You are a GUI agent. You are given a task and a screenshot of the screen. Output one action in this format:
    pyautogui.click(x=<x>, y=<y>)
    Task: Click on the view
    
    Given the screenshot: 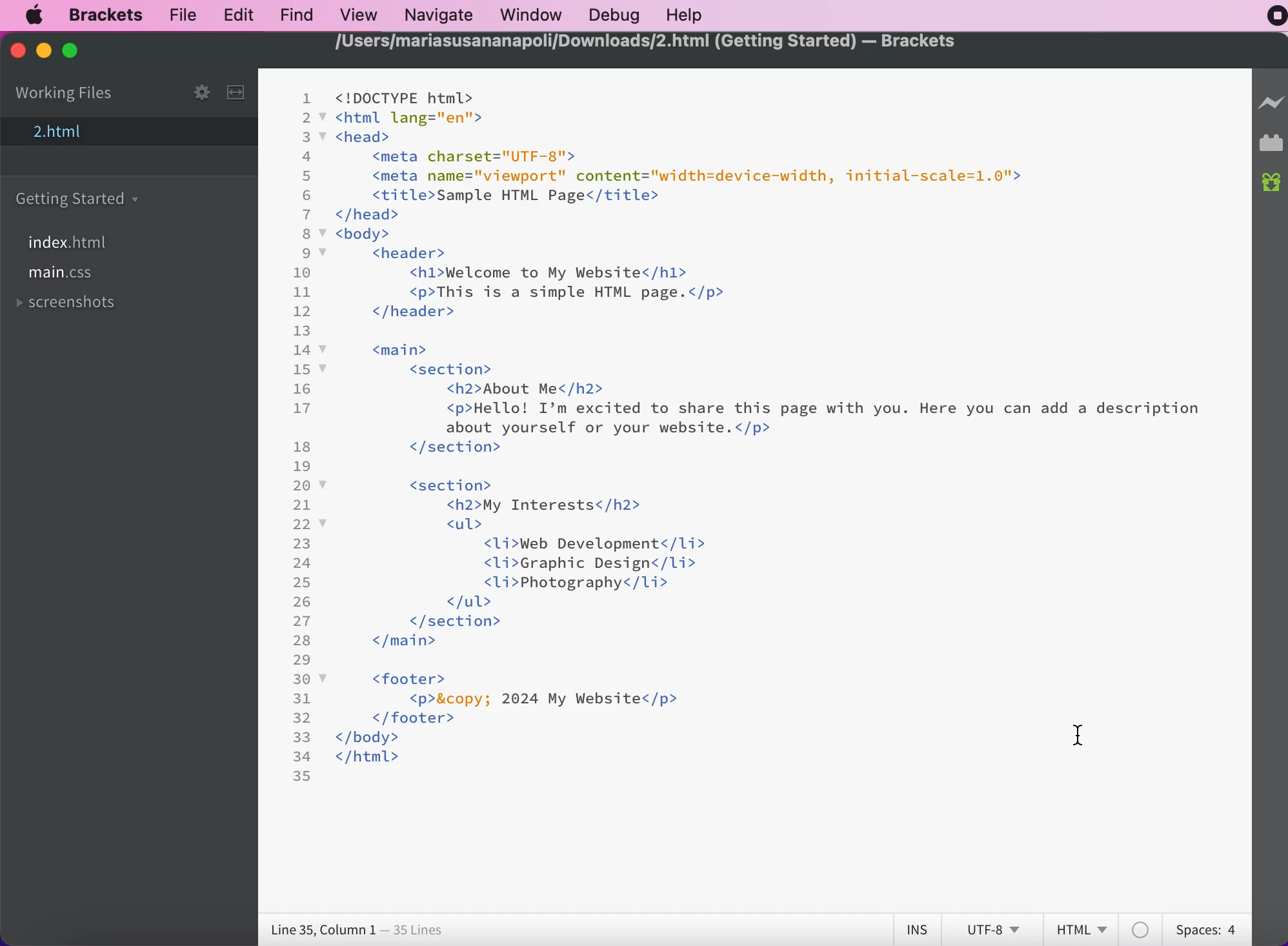 What is the action you would take?
    pyautogui.click(x=361, y=14)
    